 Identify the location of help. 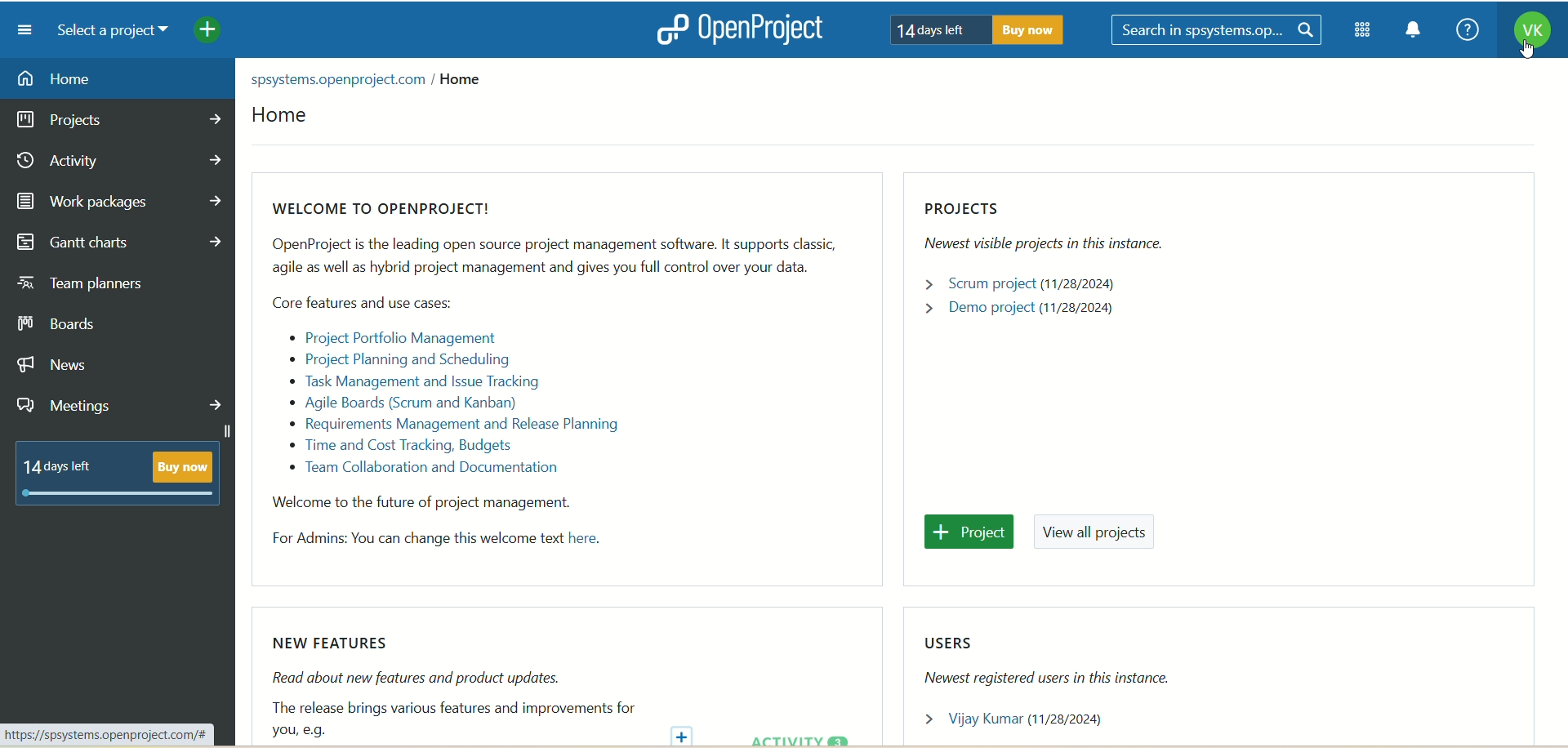
(1463, 31).